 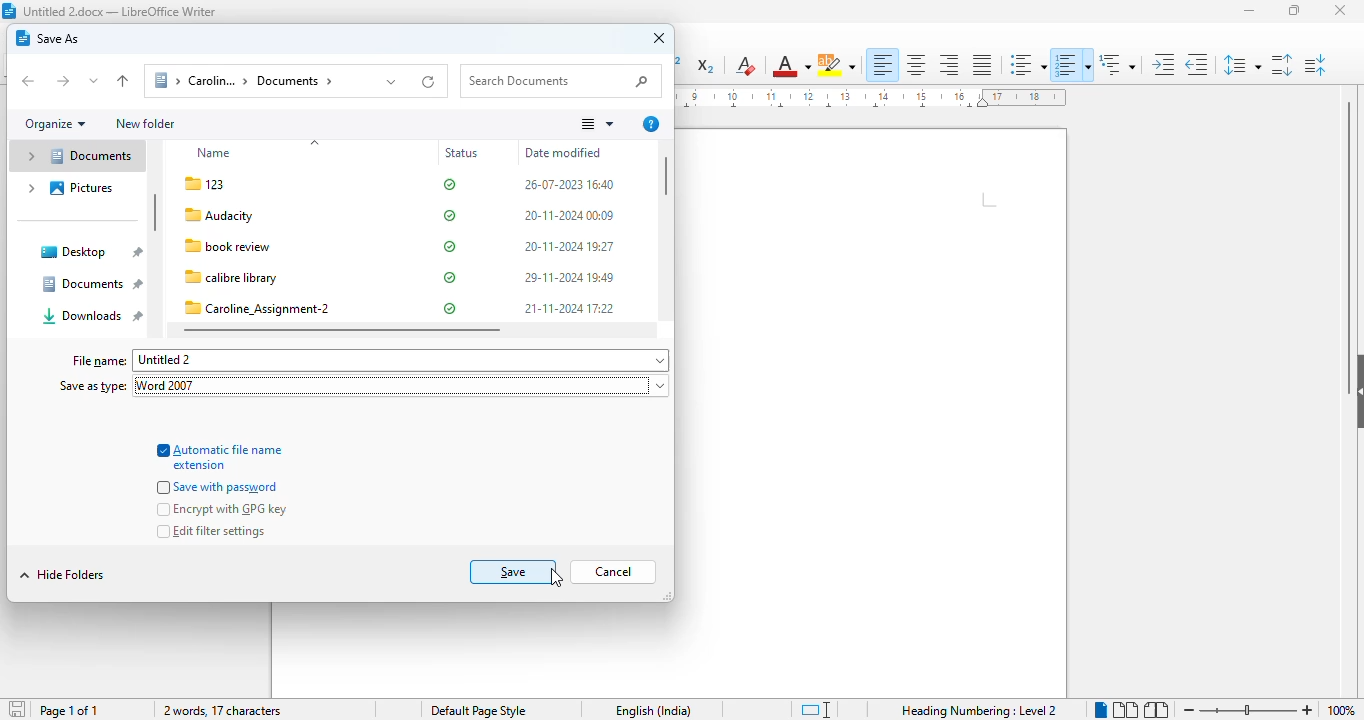 I want to click on show, so click(x=1355, y=387).